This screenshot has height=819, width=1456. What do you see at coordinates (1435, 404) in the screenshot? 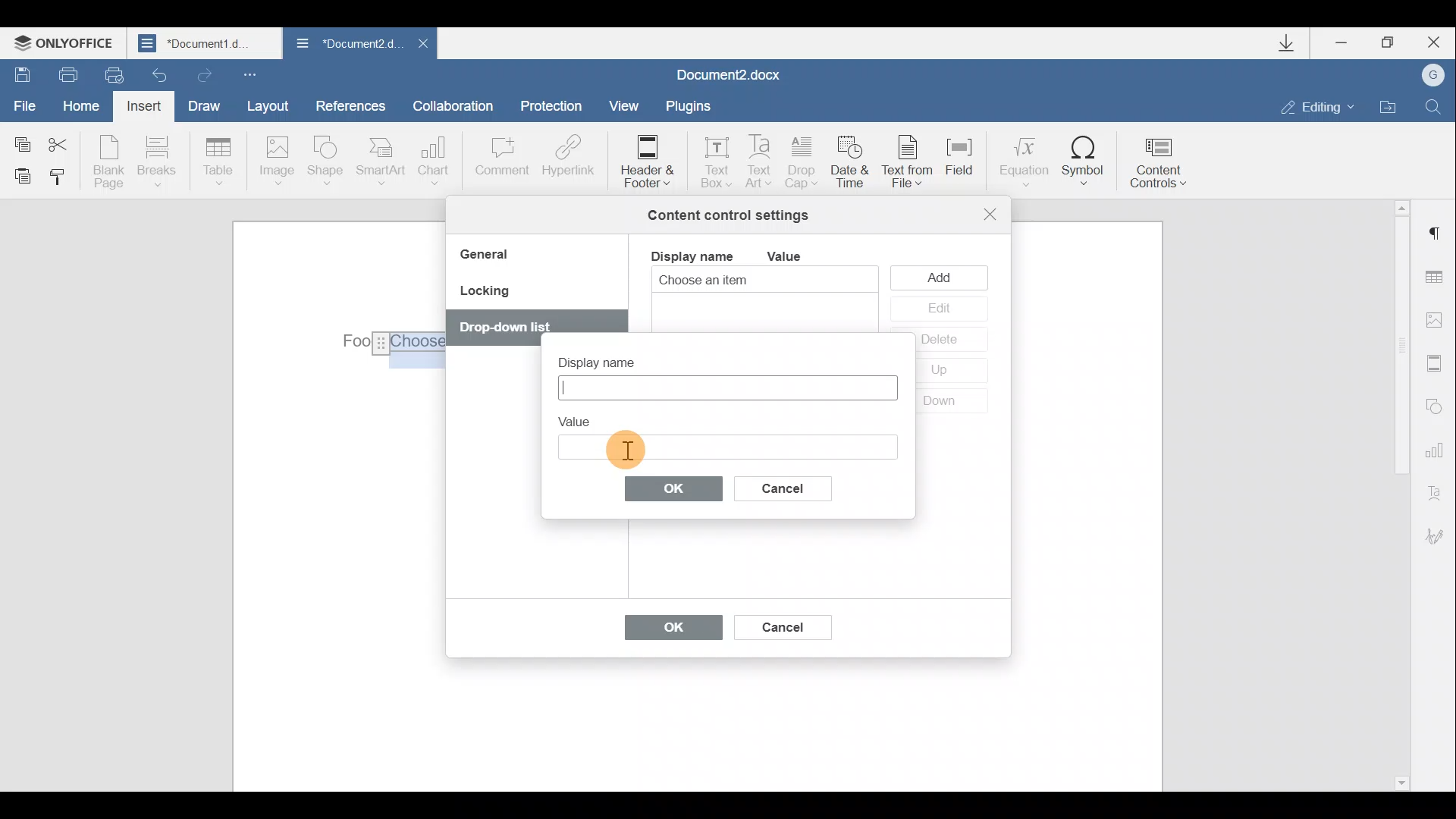
I see `Shapes settings` at bounding box center [1435, 404].